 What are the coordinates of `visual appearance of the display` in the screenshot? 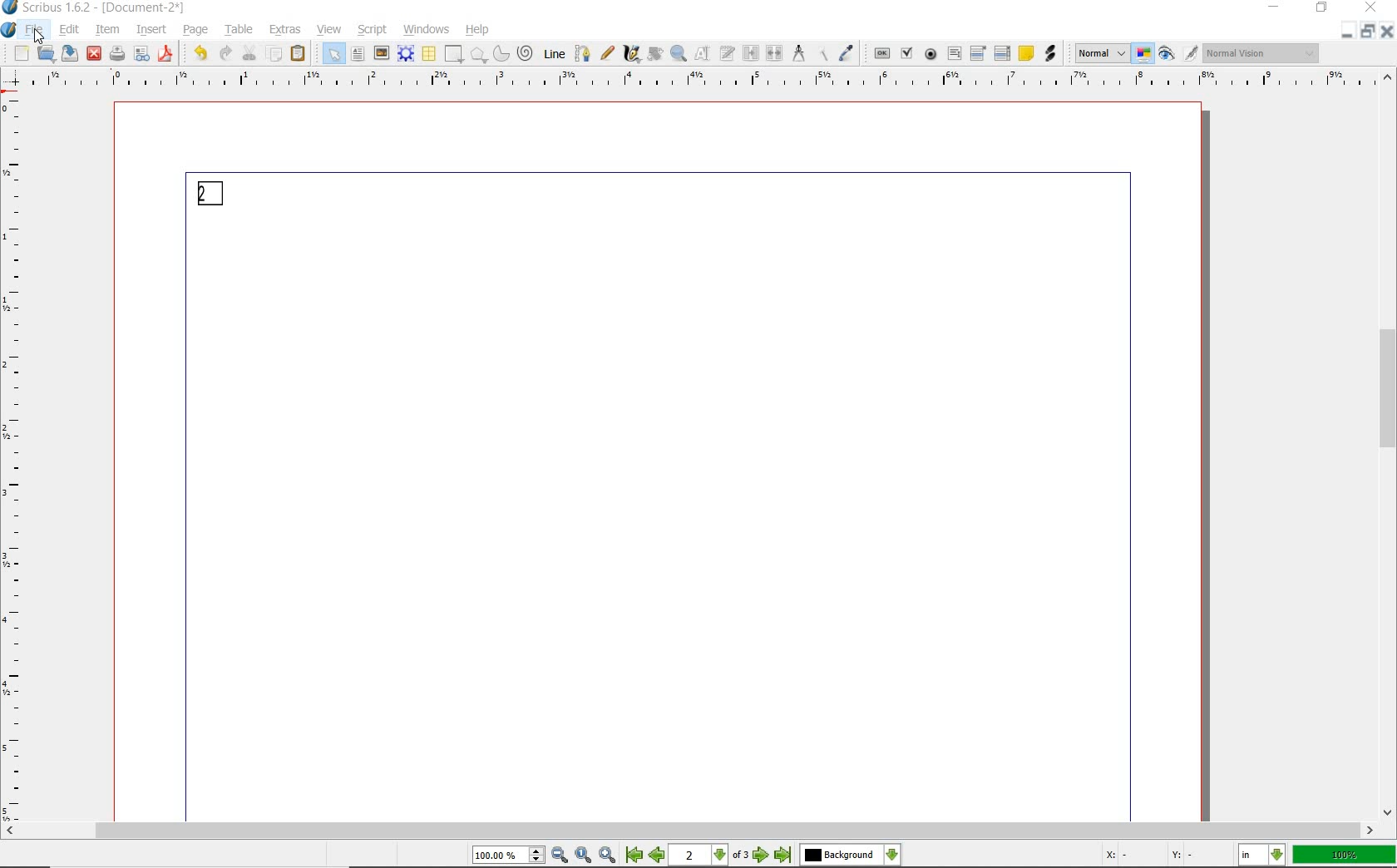 It's located at (1263, 53).